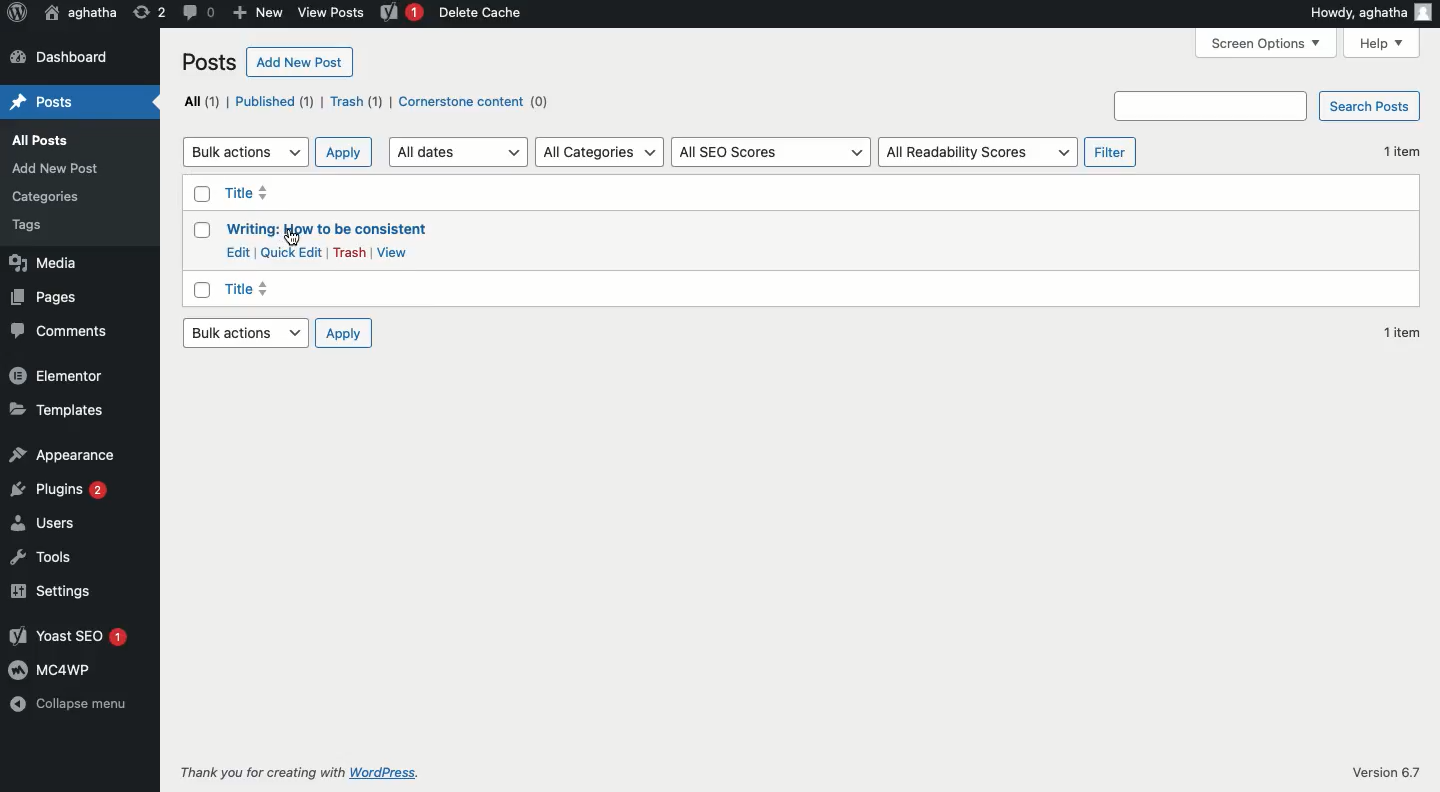  I want to click on Yoast SEO, so click(69, 637).